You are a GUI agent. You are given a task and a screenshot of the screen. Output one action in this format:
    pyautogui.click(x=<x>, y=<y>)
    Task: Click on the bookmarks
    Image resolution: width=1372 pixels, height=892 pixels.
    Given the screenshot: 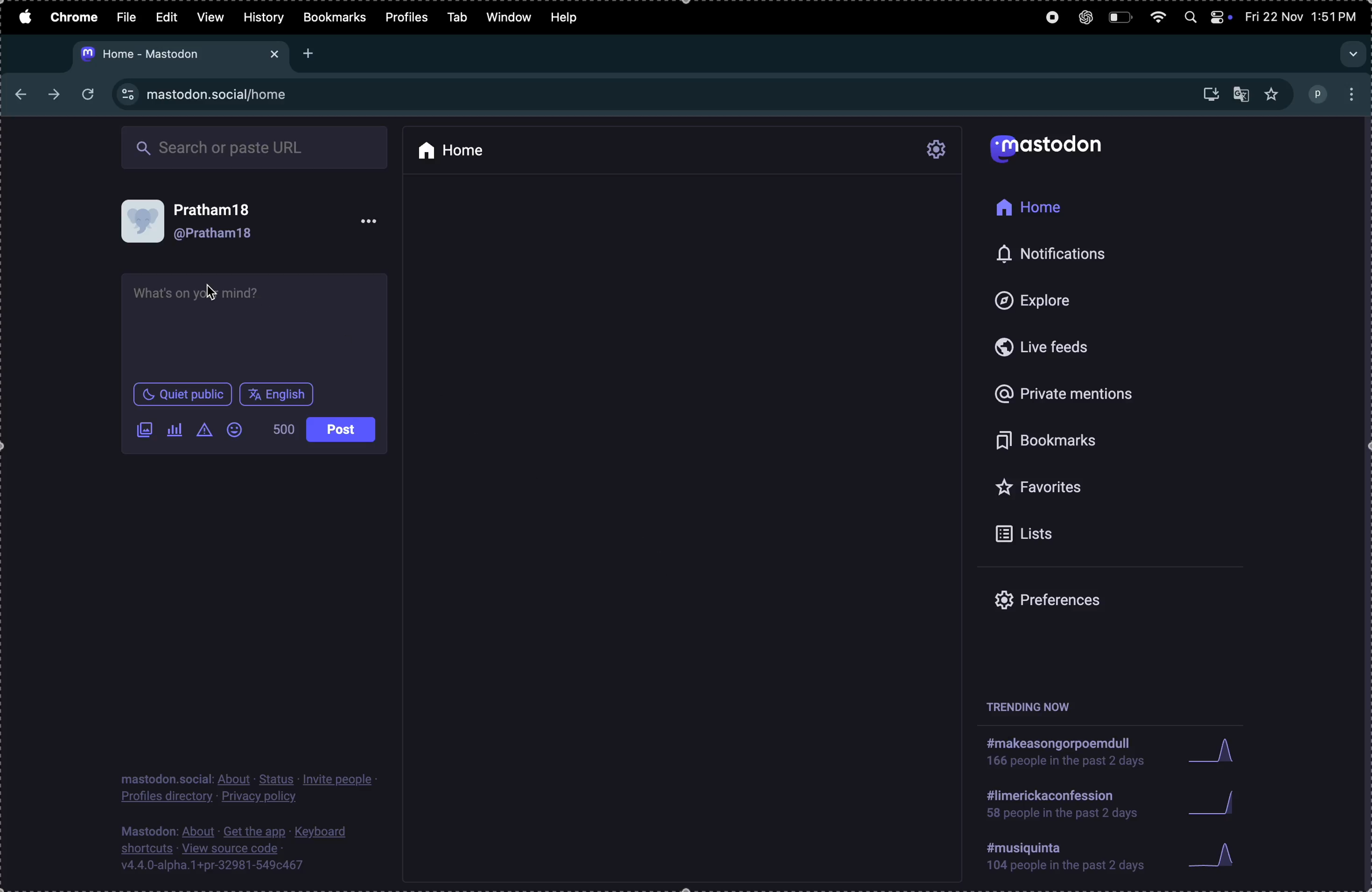 What is the action you would take?
    pyautogui.click(x=1080, y=439)
    